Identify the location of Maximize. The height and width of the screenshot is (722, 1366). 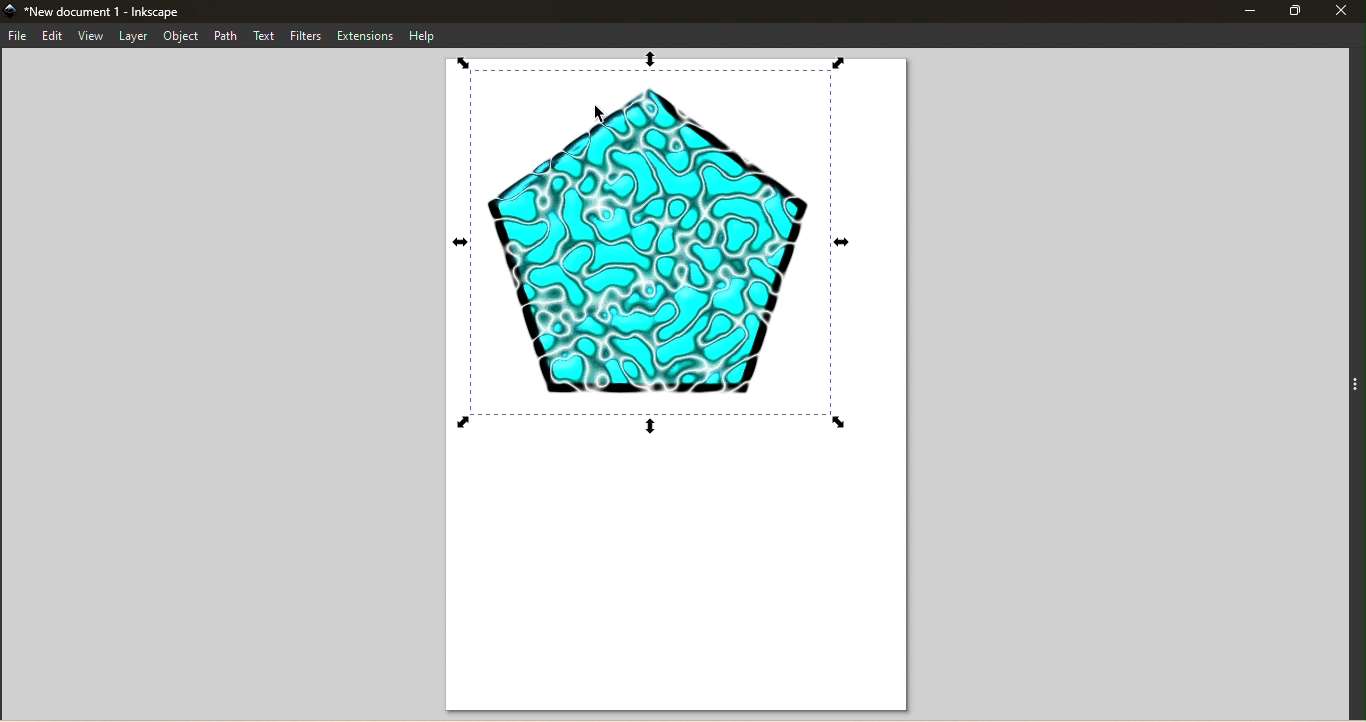
(1295, 10).